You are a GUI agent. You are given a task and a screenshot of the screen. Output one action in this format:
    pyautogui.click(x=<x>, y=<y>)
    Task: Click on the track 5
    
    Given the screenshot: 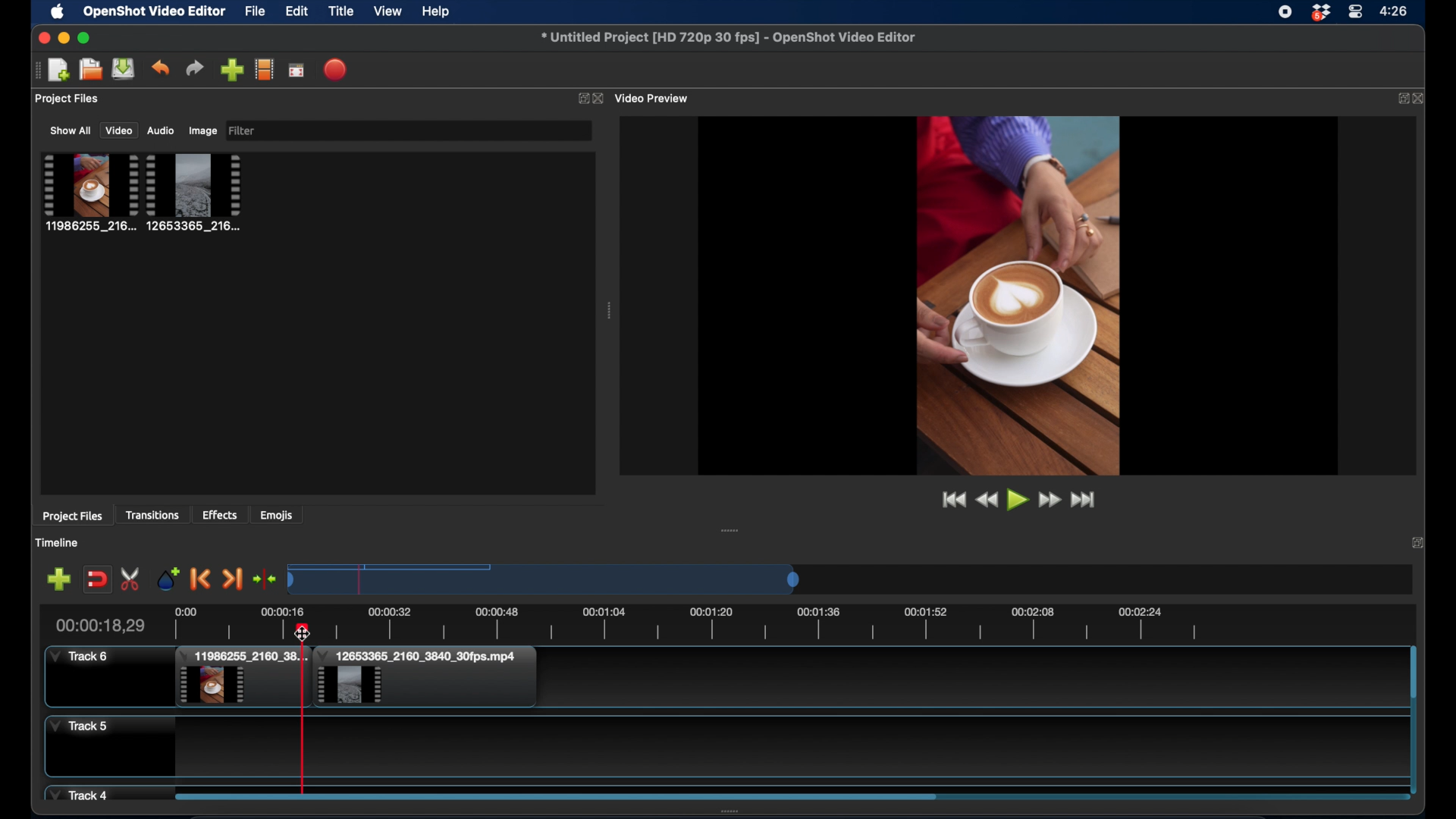 What is the action you would take?
    pyautogui.click(x=79, y=726)
    